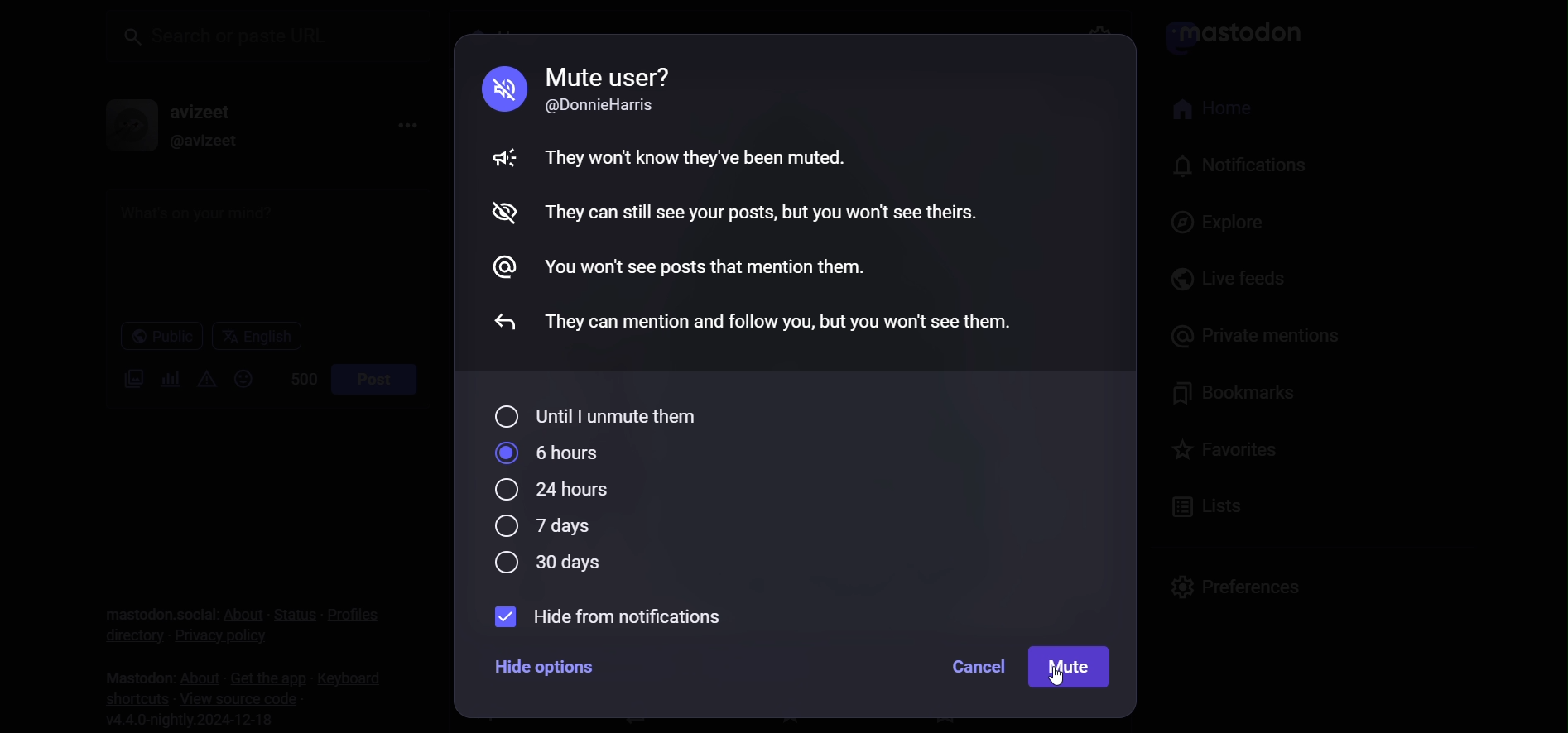 The height and width of the screenshot is (733, 1568). Describe the element at coordinates (608, 107) in the screenshot. I see `@DonnieHarris` at that location.